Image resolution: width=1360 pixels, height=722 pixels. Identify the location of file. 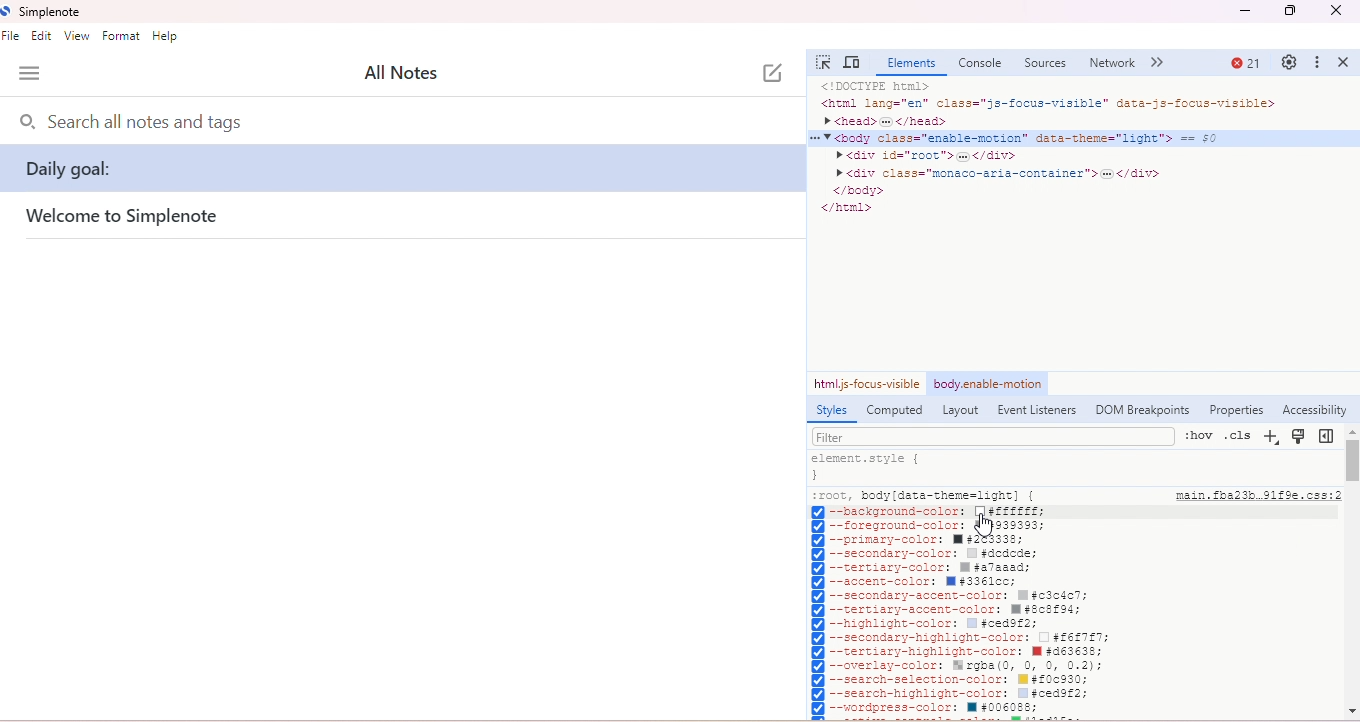
(13, 37).